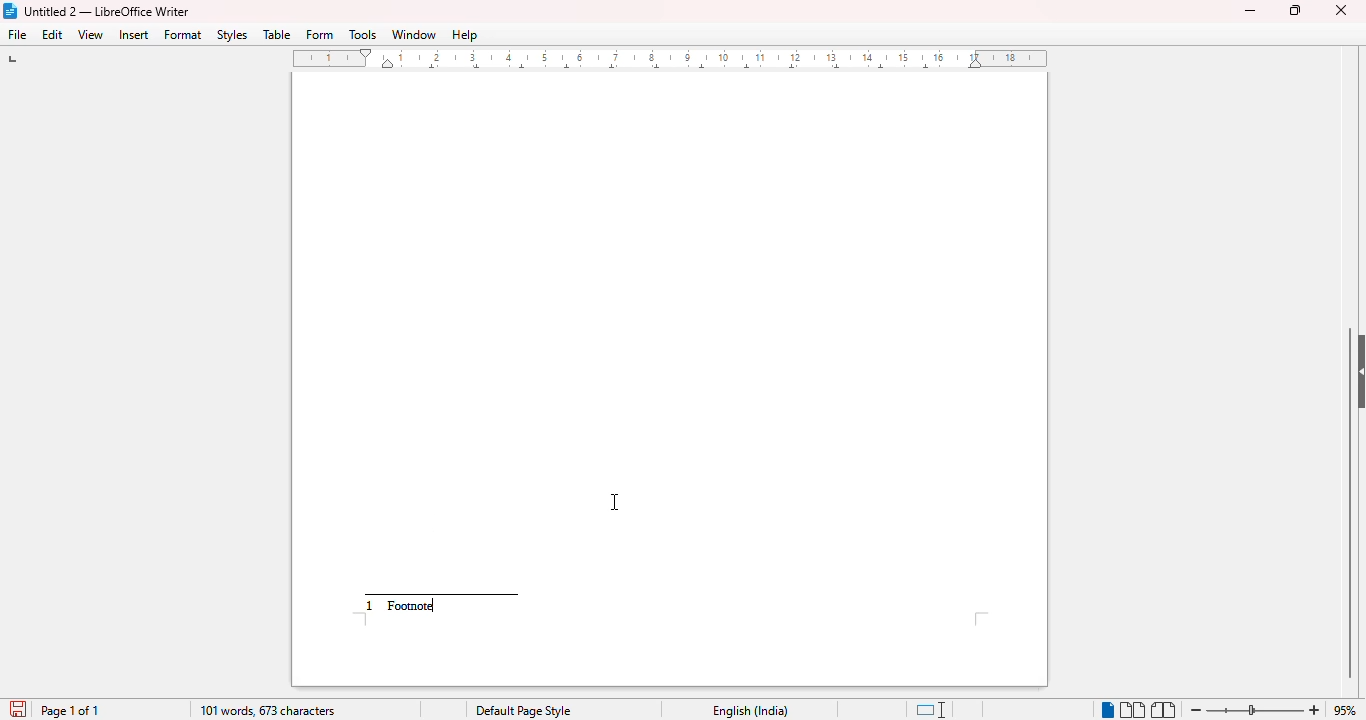  Describe the element at coordinates (21, 61) in the screenshot. I see `tab stop` at that location.